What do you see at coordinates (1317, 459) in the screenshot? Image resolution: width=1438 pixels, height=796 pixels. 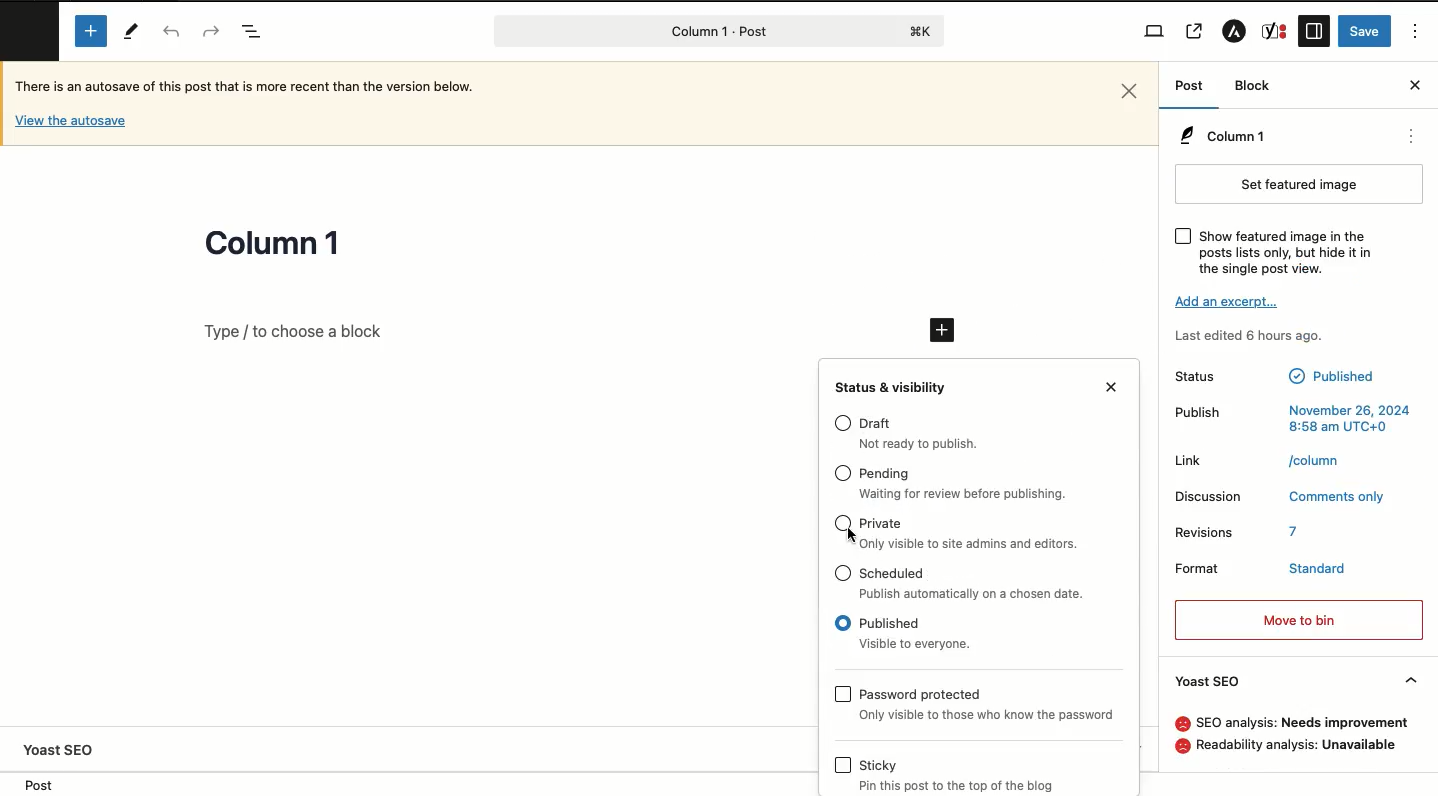 I see `column` at bounding box center [1317, 459].